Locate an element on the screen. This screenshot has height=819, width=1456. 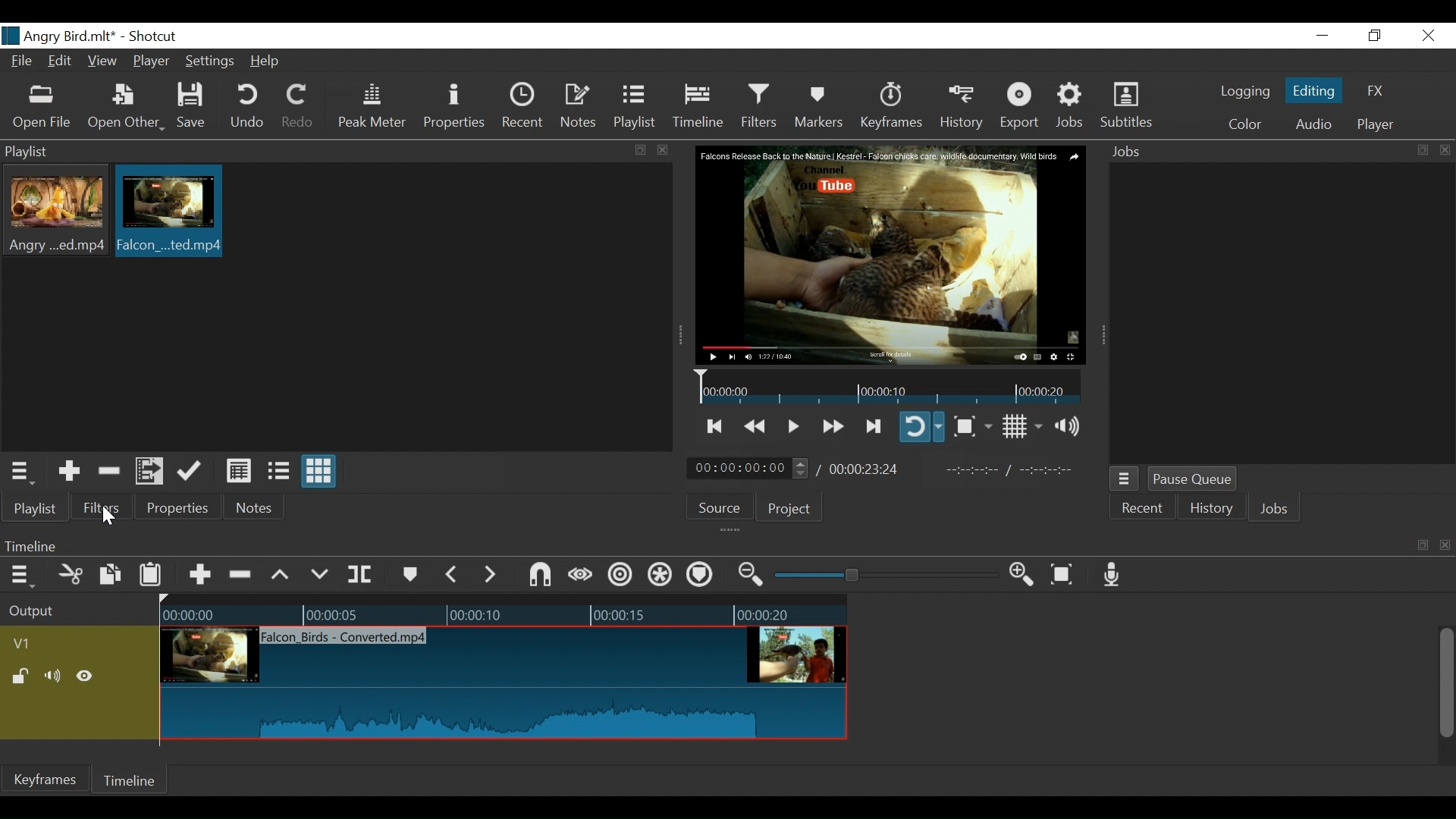
Jobs Panel is located at coordinates (1280, 314).